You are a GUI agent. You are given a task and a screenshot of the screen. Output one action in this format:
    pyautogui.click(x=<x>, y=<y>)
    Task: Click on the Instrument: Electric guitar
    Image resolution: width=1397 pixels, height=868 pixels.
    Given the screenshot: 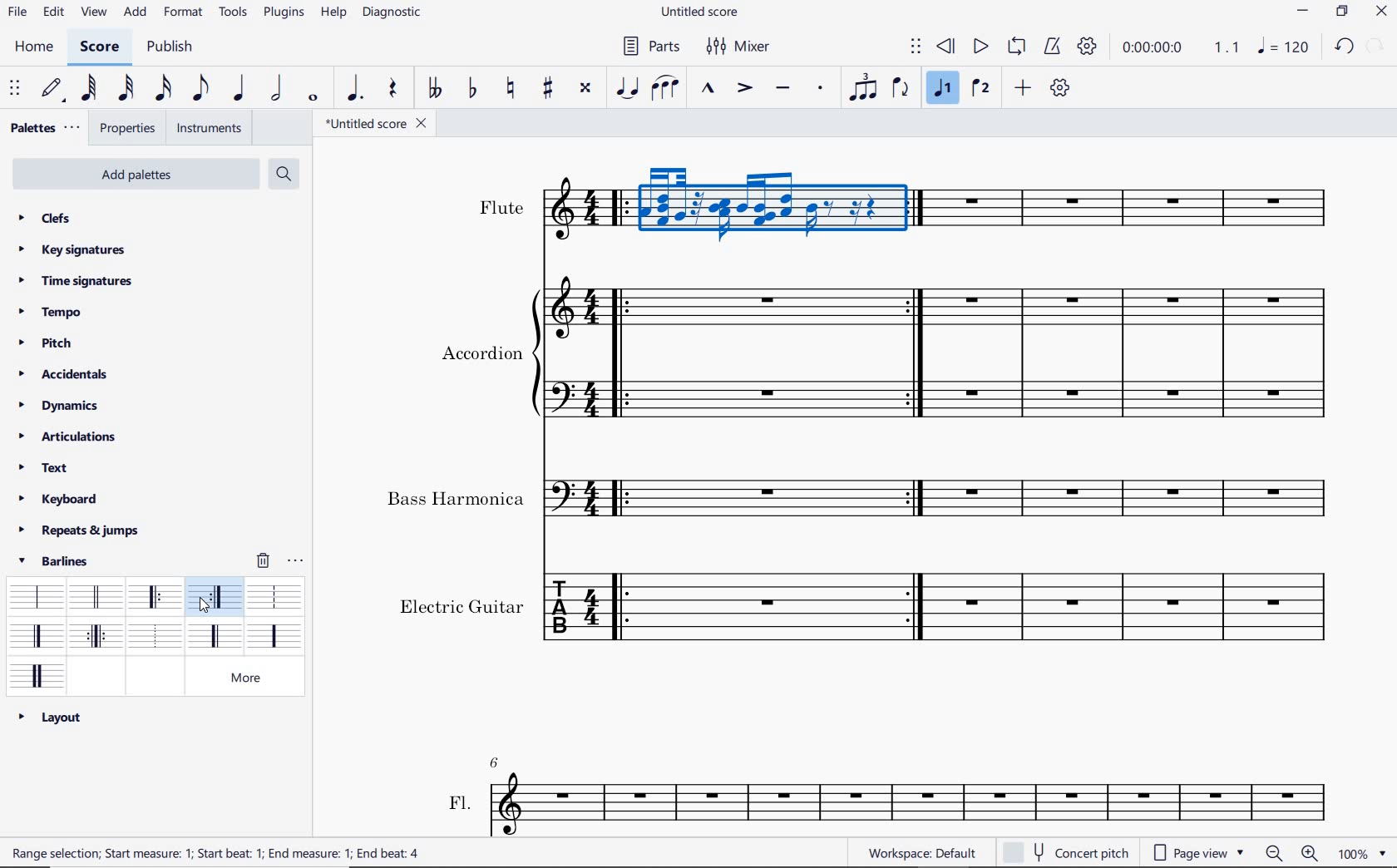 What is the action you would take?
    pyautogui.click(x=769, y=604)
    